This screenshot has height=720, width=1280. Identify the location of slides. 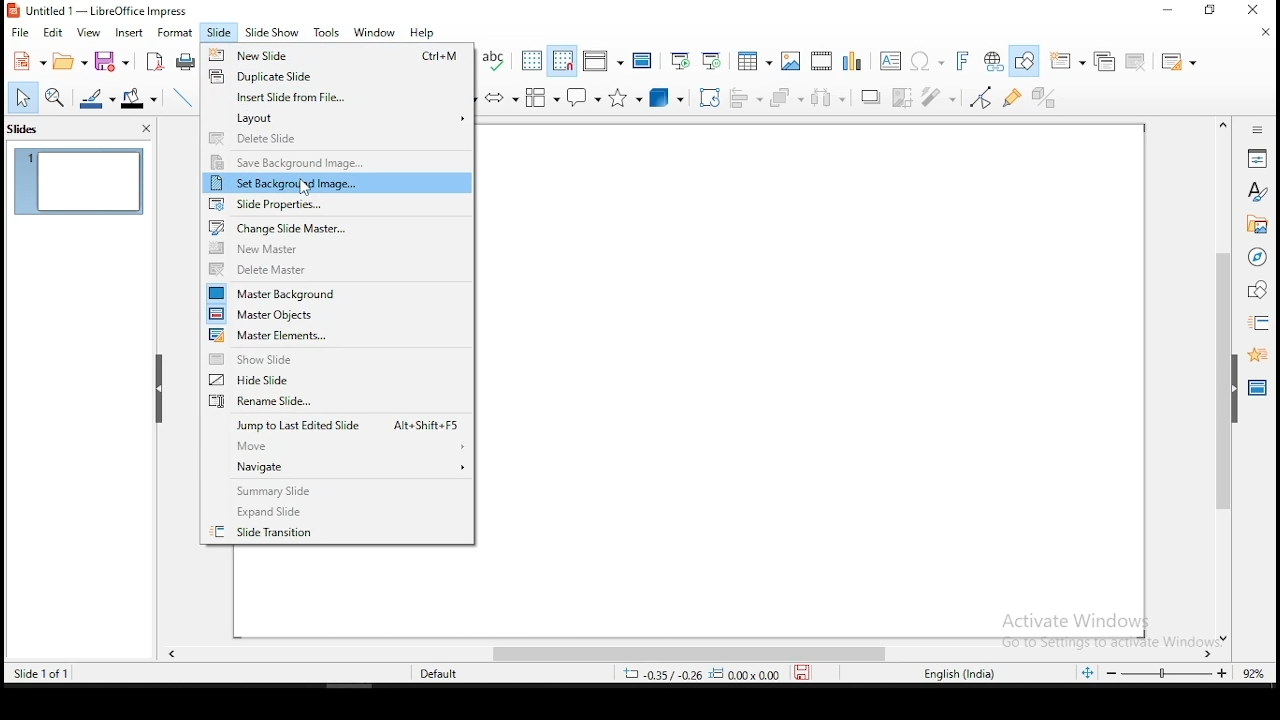
(26, 129).